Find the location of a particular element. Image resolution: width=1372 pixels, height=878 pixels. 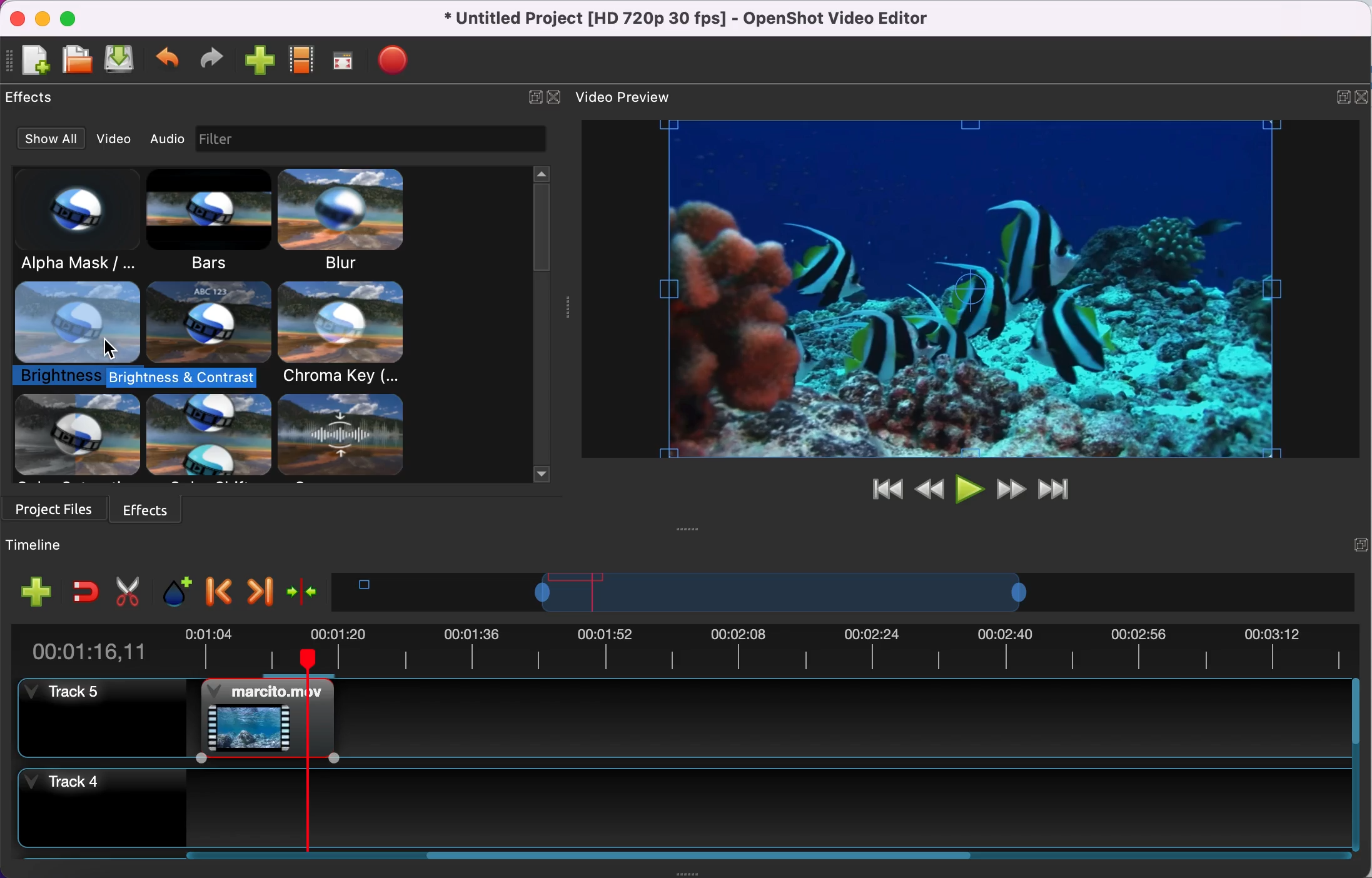

next marker is located at coordinates (258, 589).